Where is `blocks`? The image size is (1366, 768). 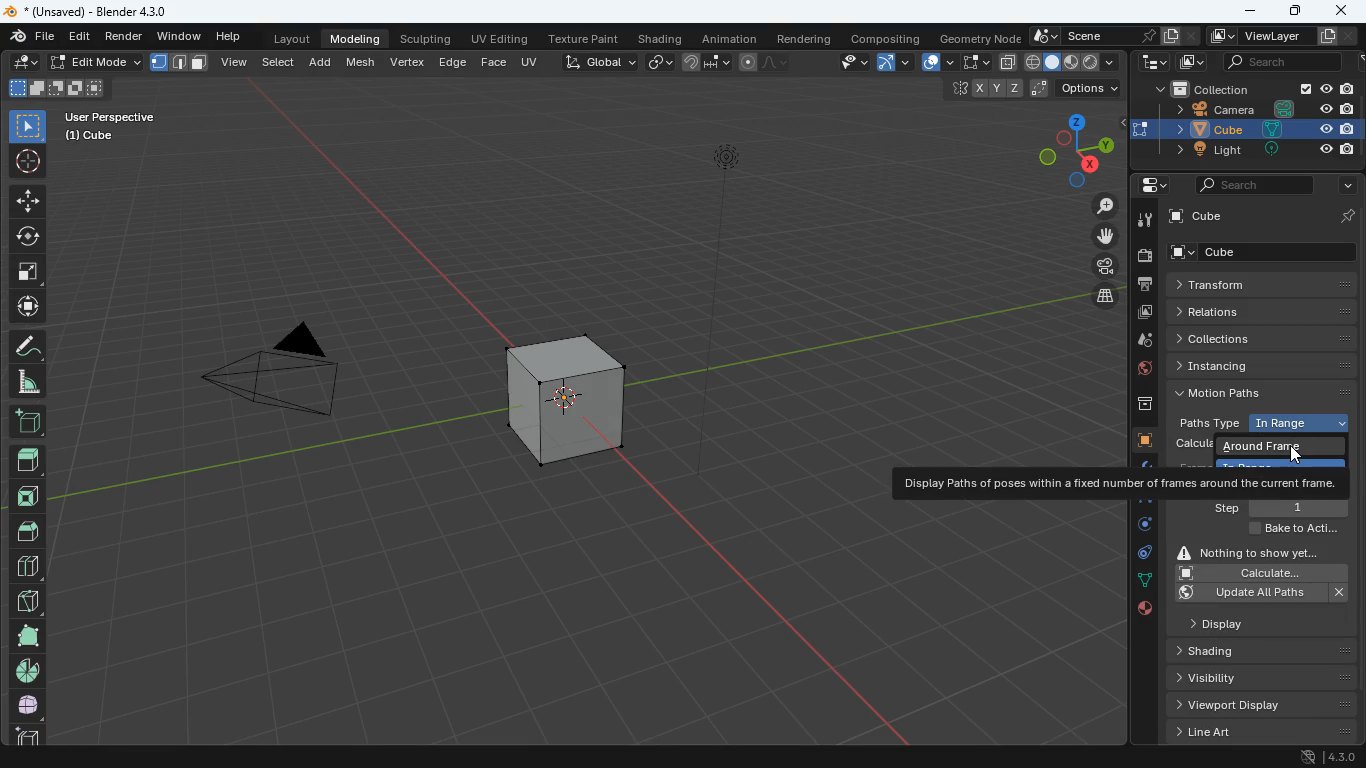 blocks is located at coordinates (26, 568).